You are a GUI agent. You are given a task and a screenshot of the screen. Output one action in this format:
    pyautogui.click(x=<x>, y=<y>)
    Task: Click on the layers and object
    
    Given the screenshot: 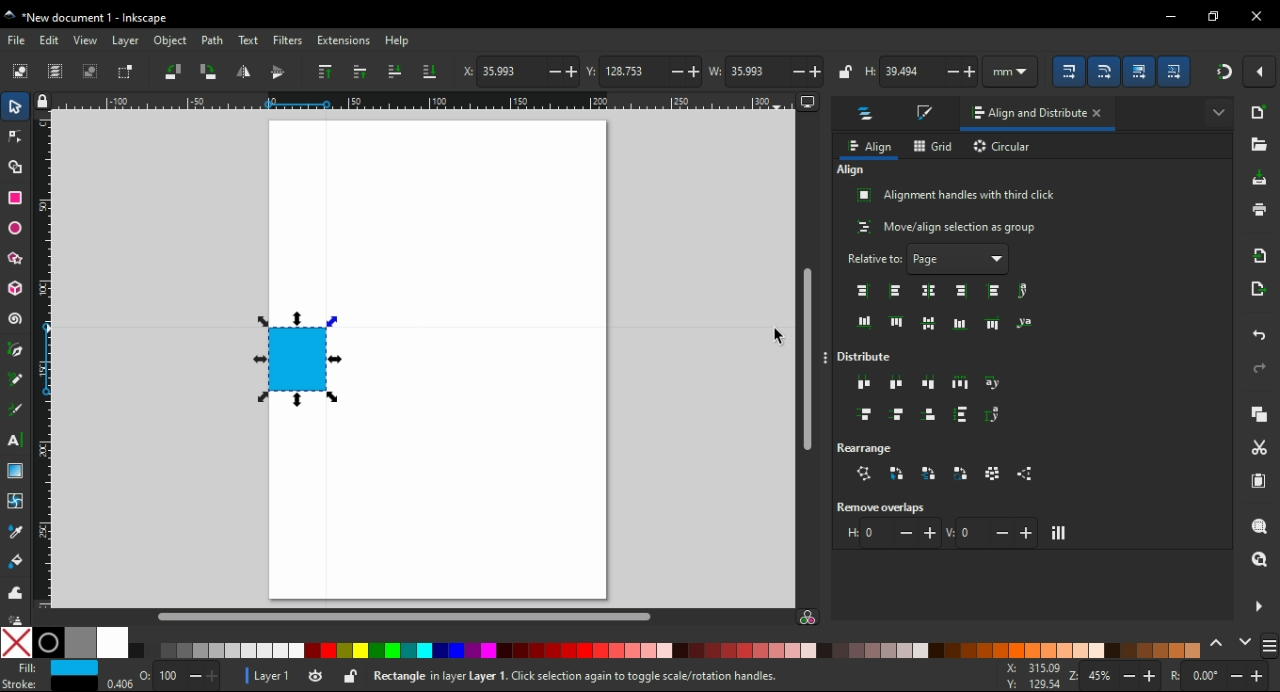 What is the action you would take?
    pyautogui.click(x=867, y=114)
    